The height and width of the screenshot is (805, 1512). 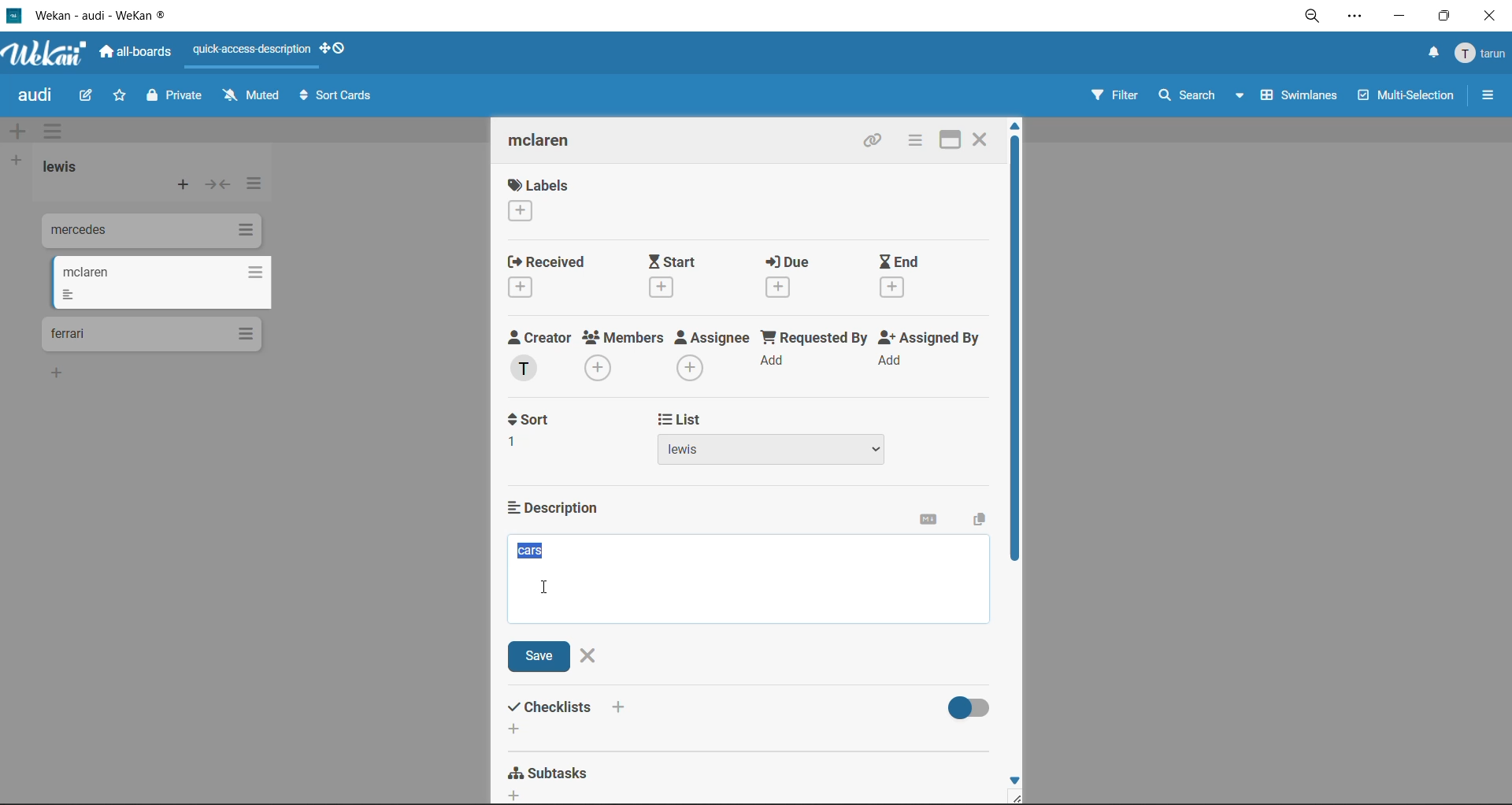 I want to click on notifications, so click(x=1431, y=55).